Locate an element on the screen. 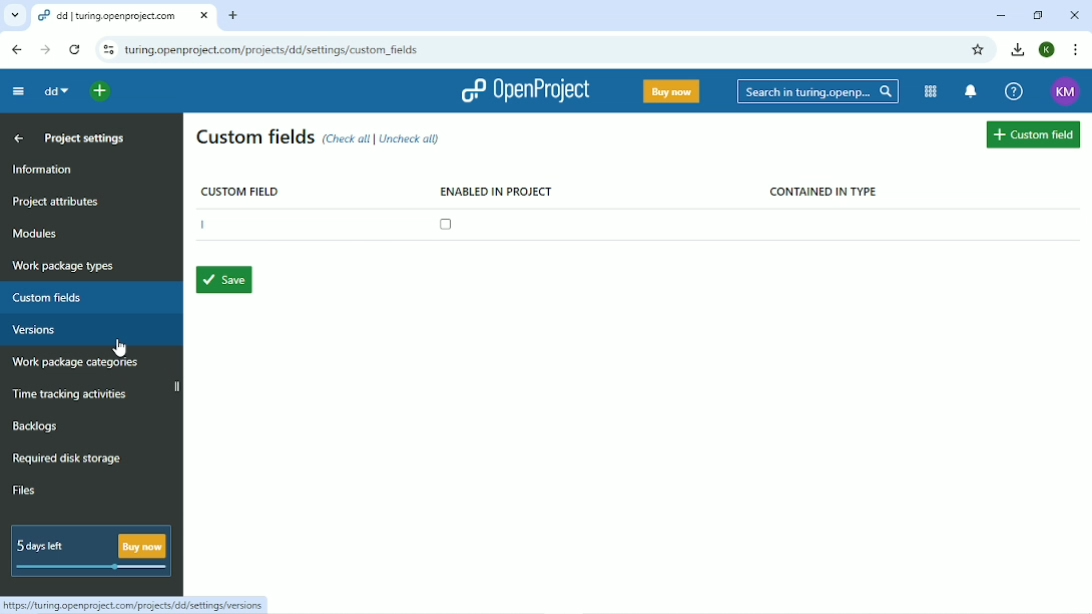 Image resolution: width=1092 pixels, height=614 pixels. Work package categories is located at coordinates (74, 363).